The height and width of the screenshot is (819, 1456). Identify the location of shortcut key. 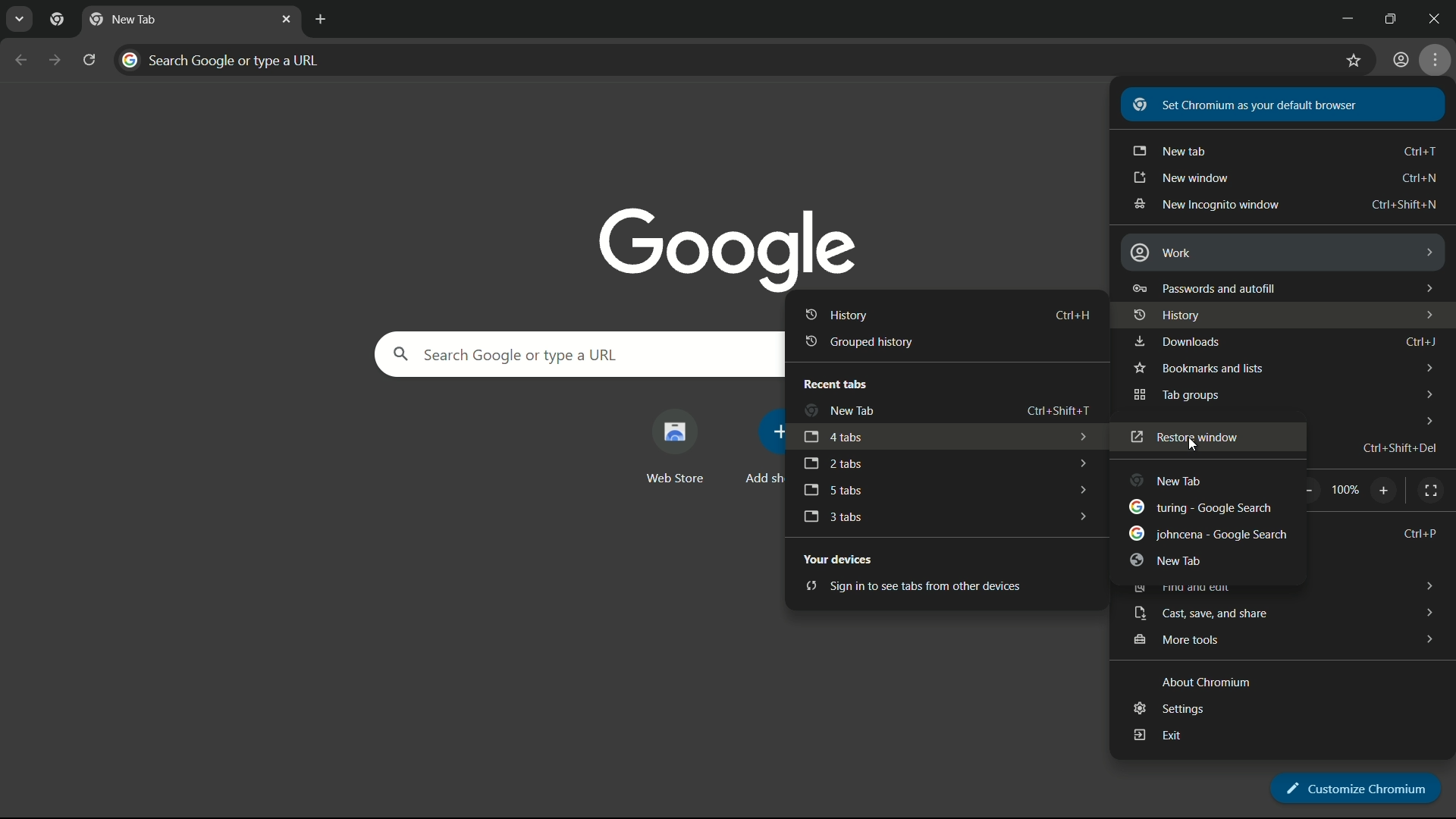
(1056, 411).